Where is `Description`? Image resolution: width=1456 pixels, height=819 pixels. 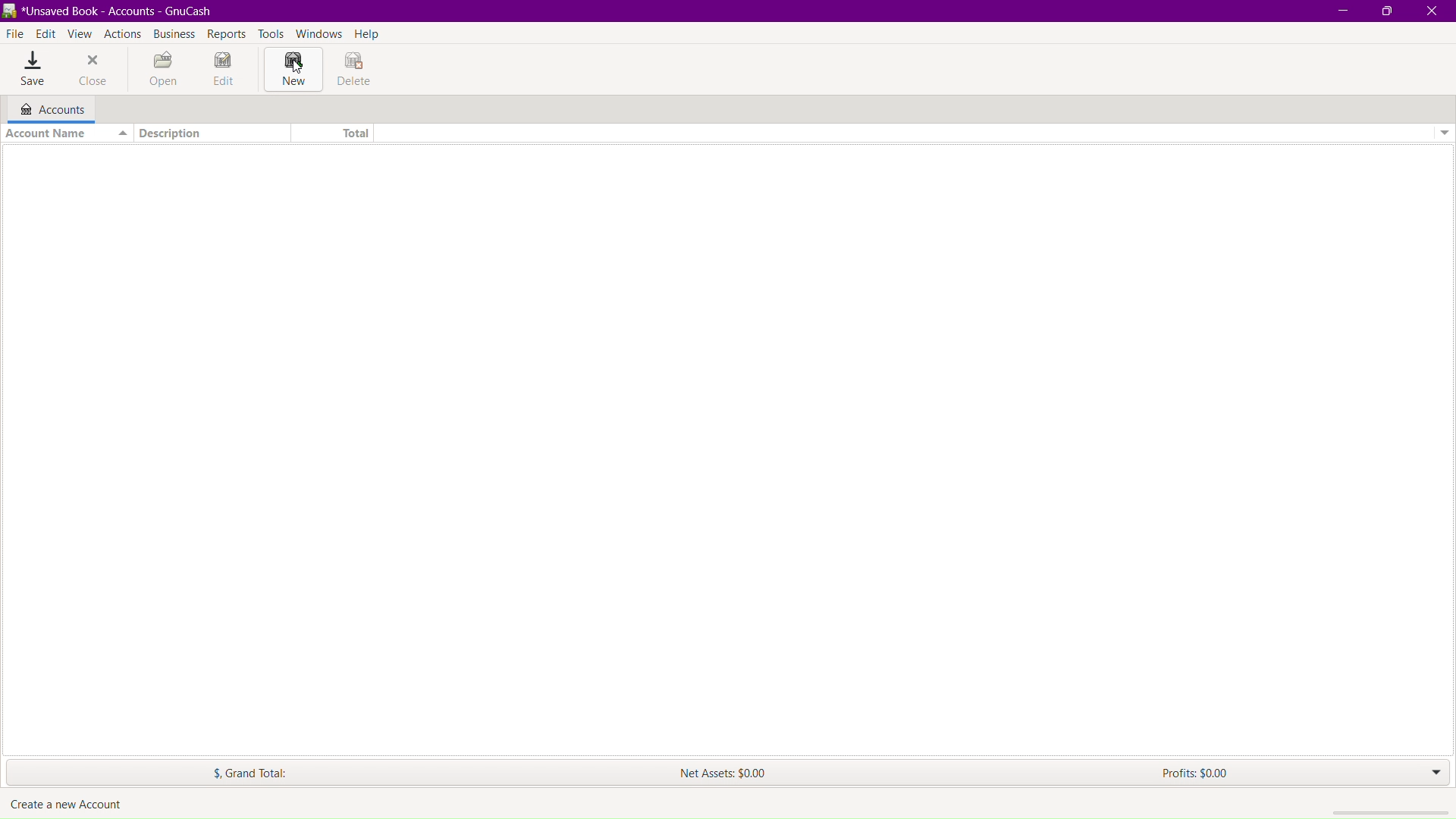
Description is located at coordinates (212, 133).